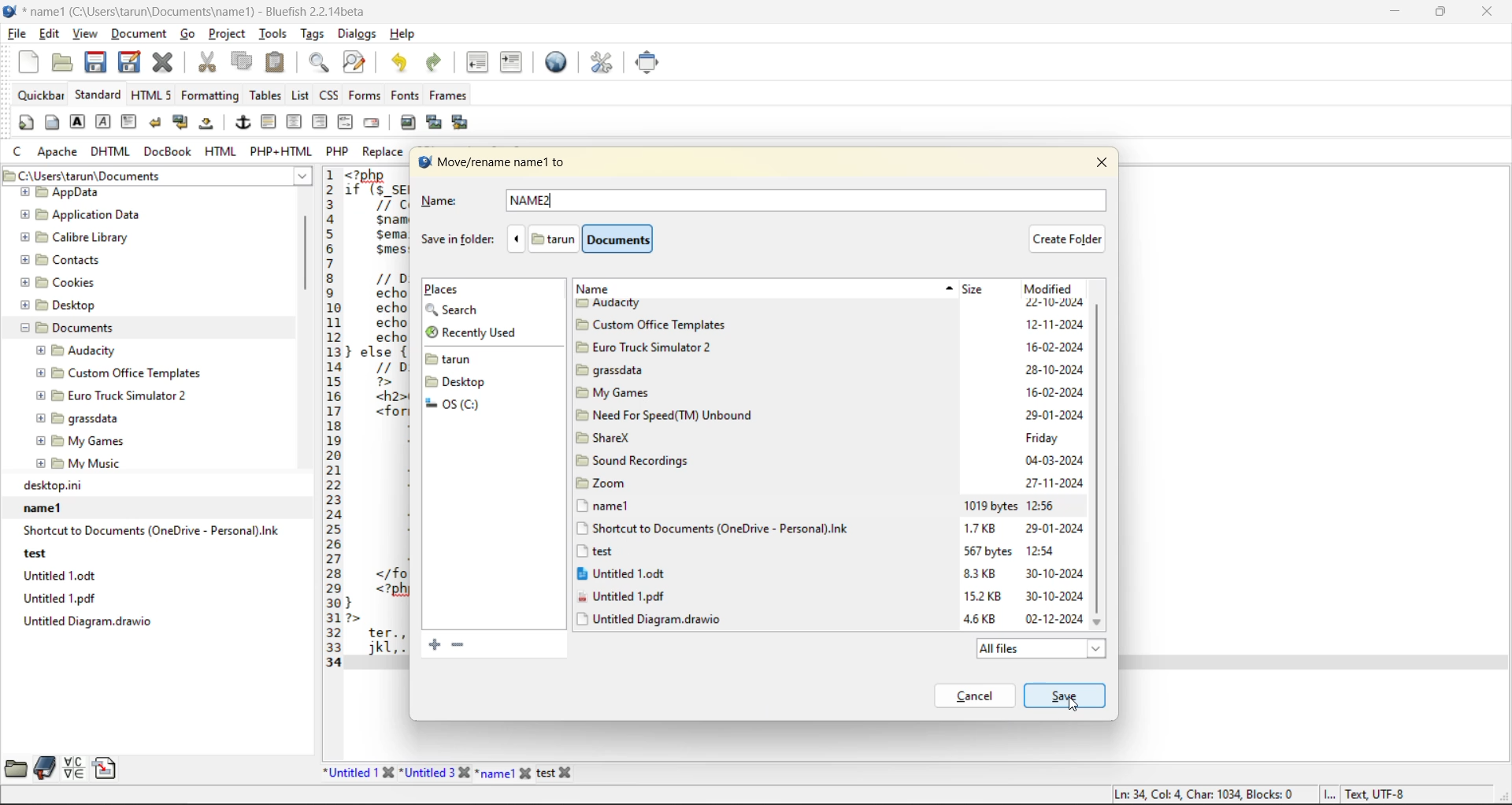  What do you see at coordinates (1488, 14) in the screenshot?
I see `close` at bounding box center [1488, 14].